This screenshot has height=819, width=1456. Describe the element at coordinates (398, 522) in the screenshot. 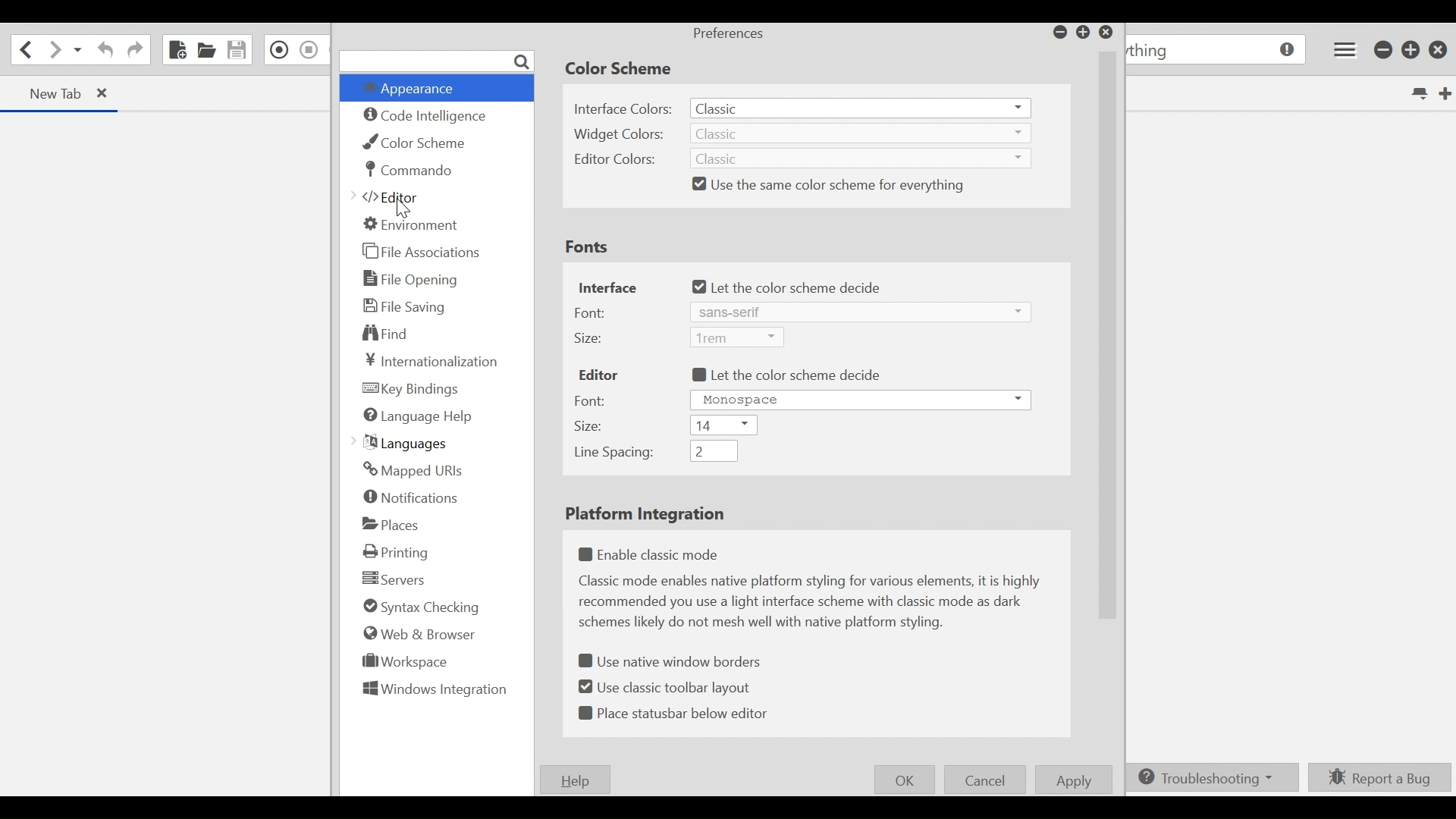

I see `Places` at that location.